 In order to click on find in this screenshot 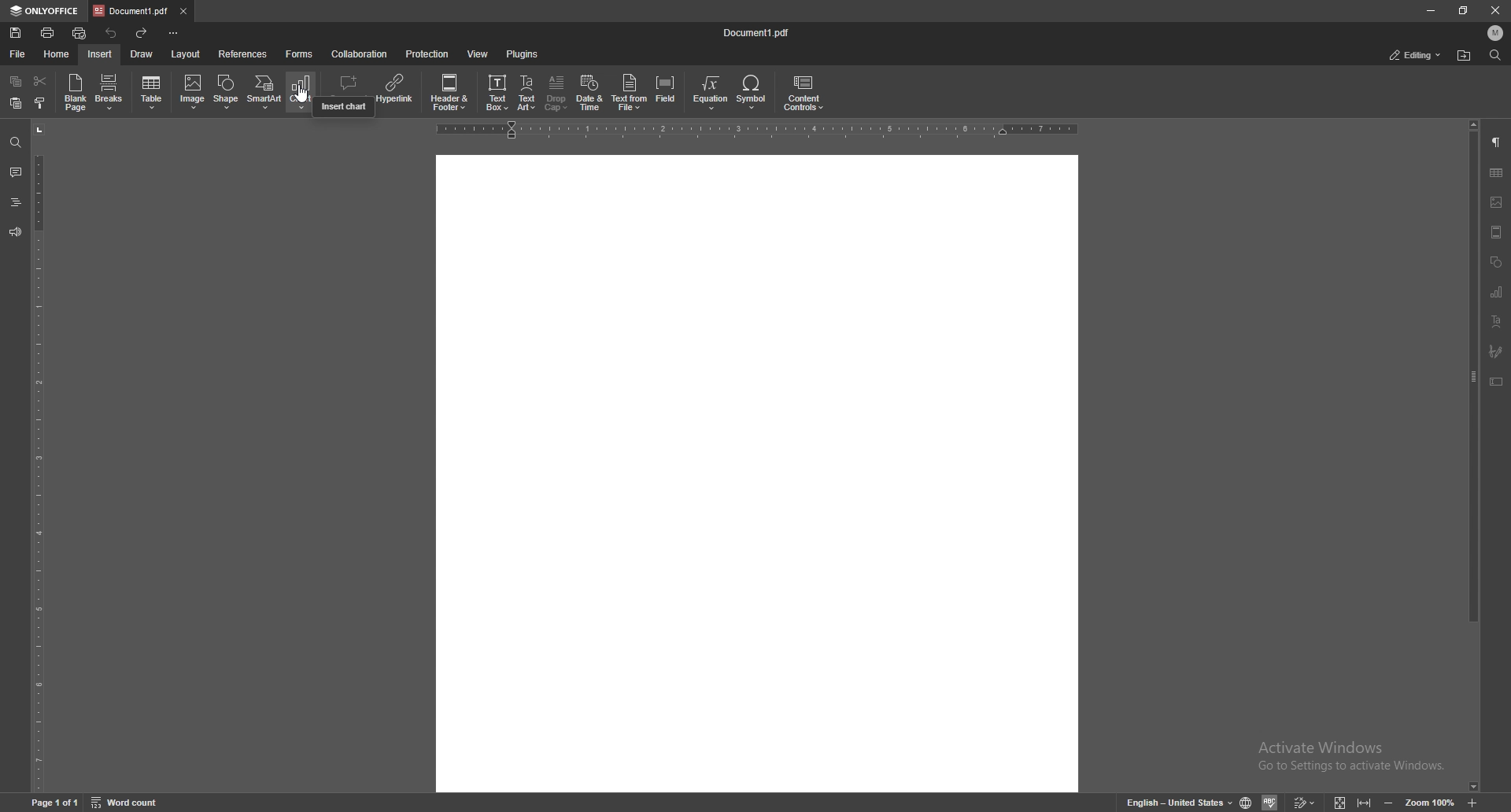, I will do `click(16, 142)`.